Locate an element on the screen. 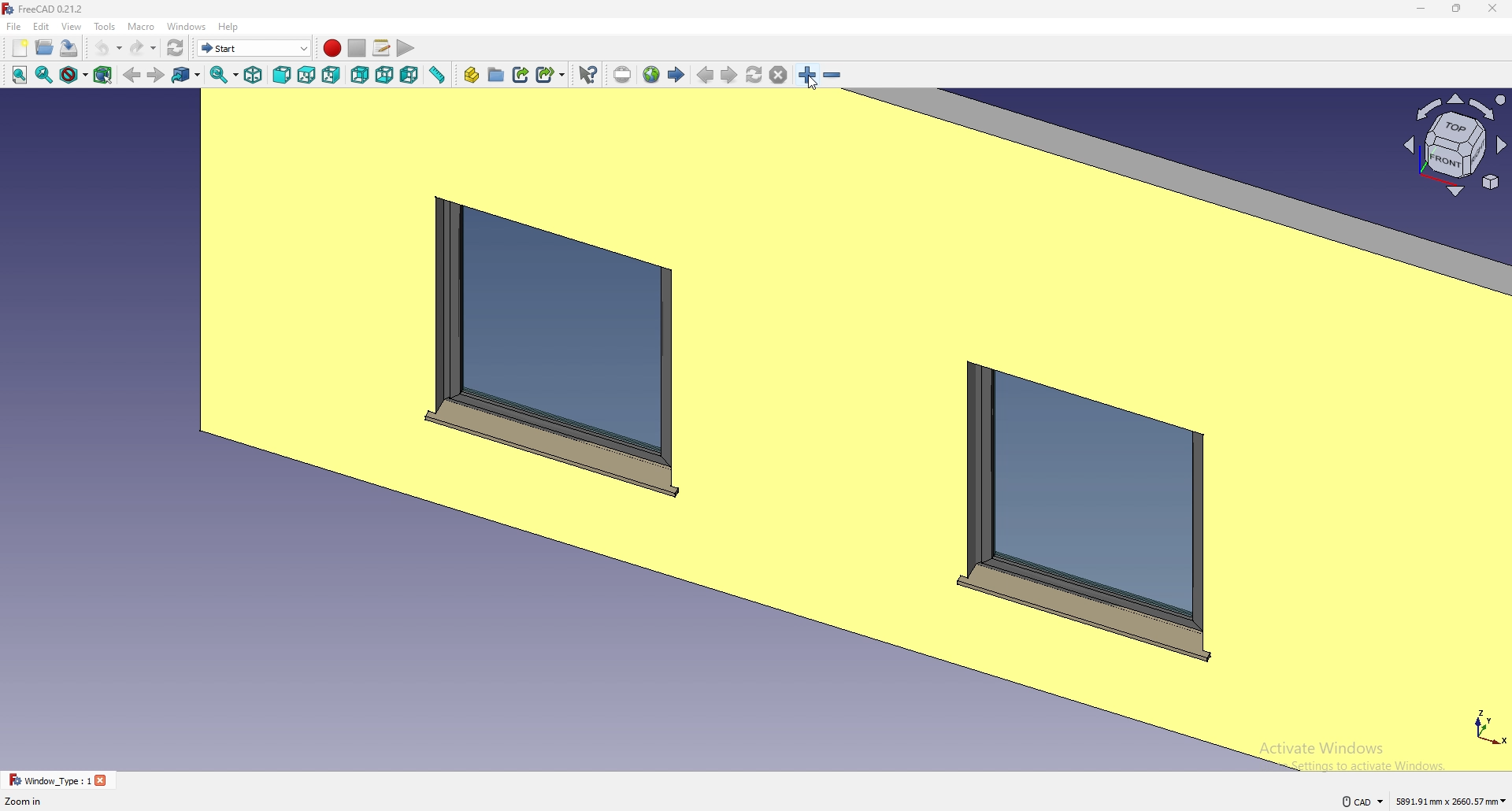 This screenshot has width=1512, height=811. bounding box is located at coordinates (102, 76).